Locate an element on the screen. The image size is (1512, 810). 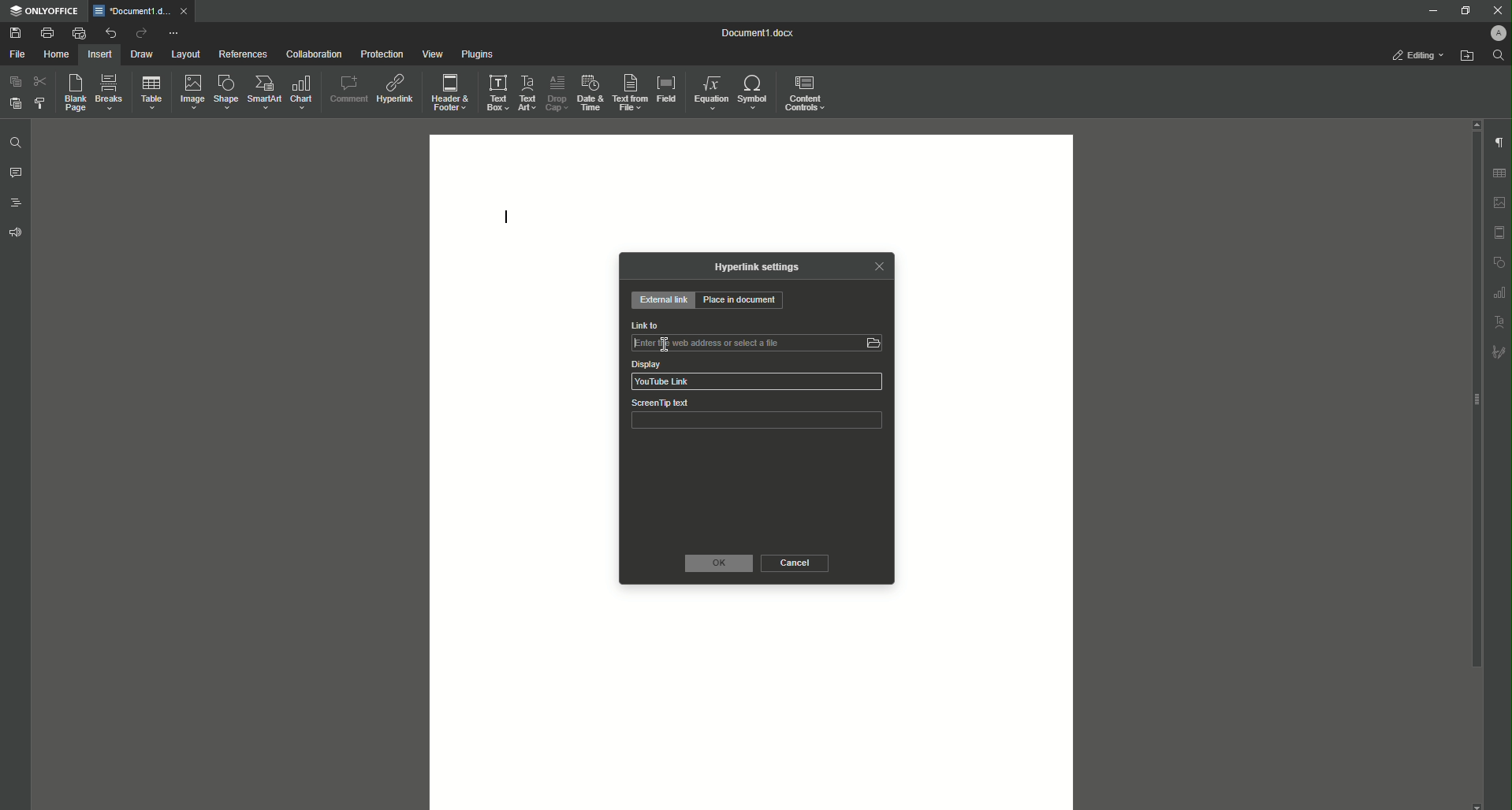
Paragraph Settings is located at coordinates (1499, 143).